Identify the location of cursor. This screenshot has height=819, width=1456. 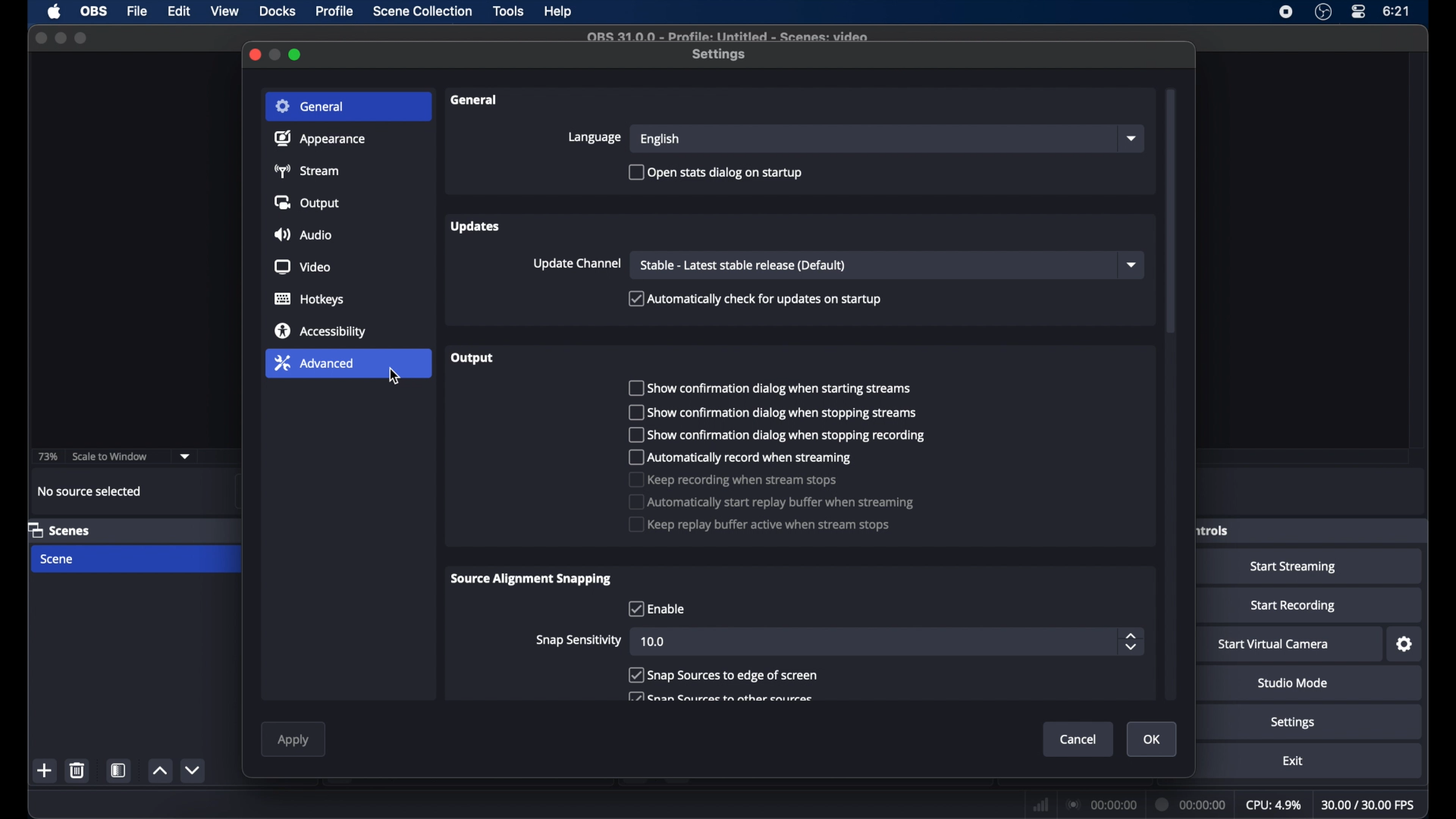
(396, 377).